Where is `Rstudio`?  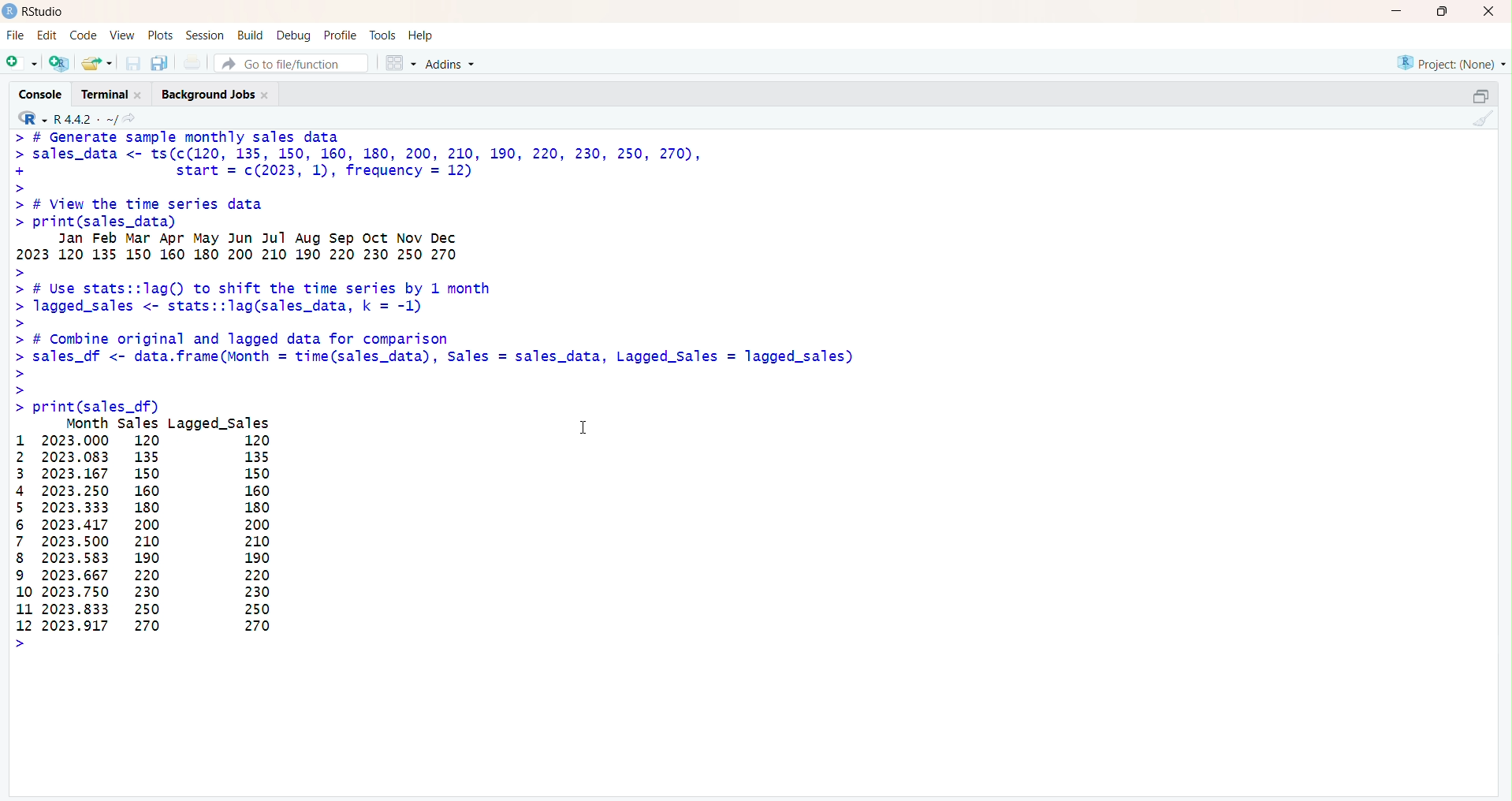
Rstudio is located at coordinates (35, 12).